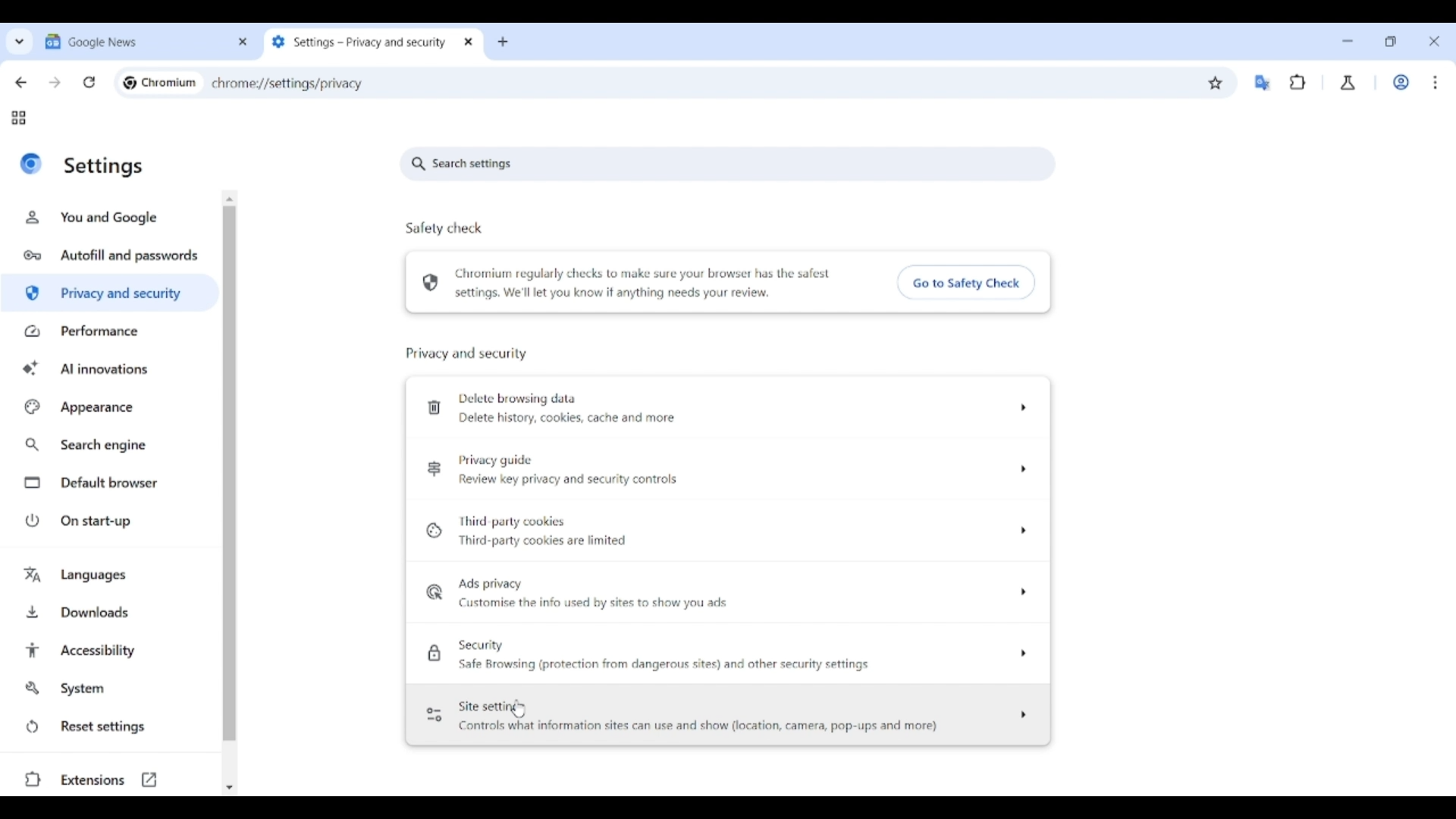 This screenshot has width=1456, height=819. I want to click on Browser safety check symbol, so click(430, 283).